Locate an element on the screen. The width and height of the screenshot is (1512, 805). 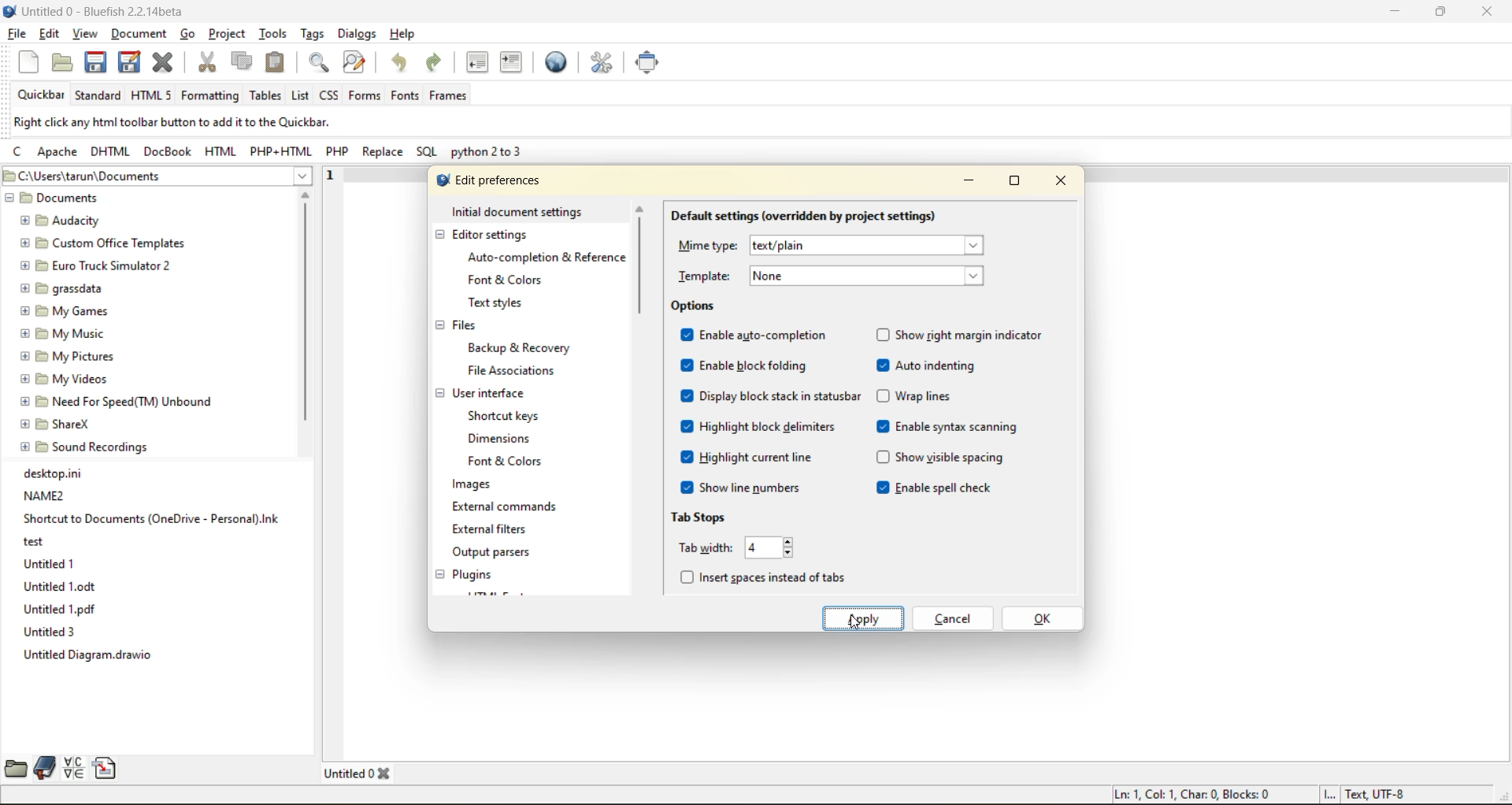
enable block folding is located at coordinates (743, 365).